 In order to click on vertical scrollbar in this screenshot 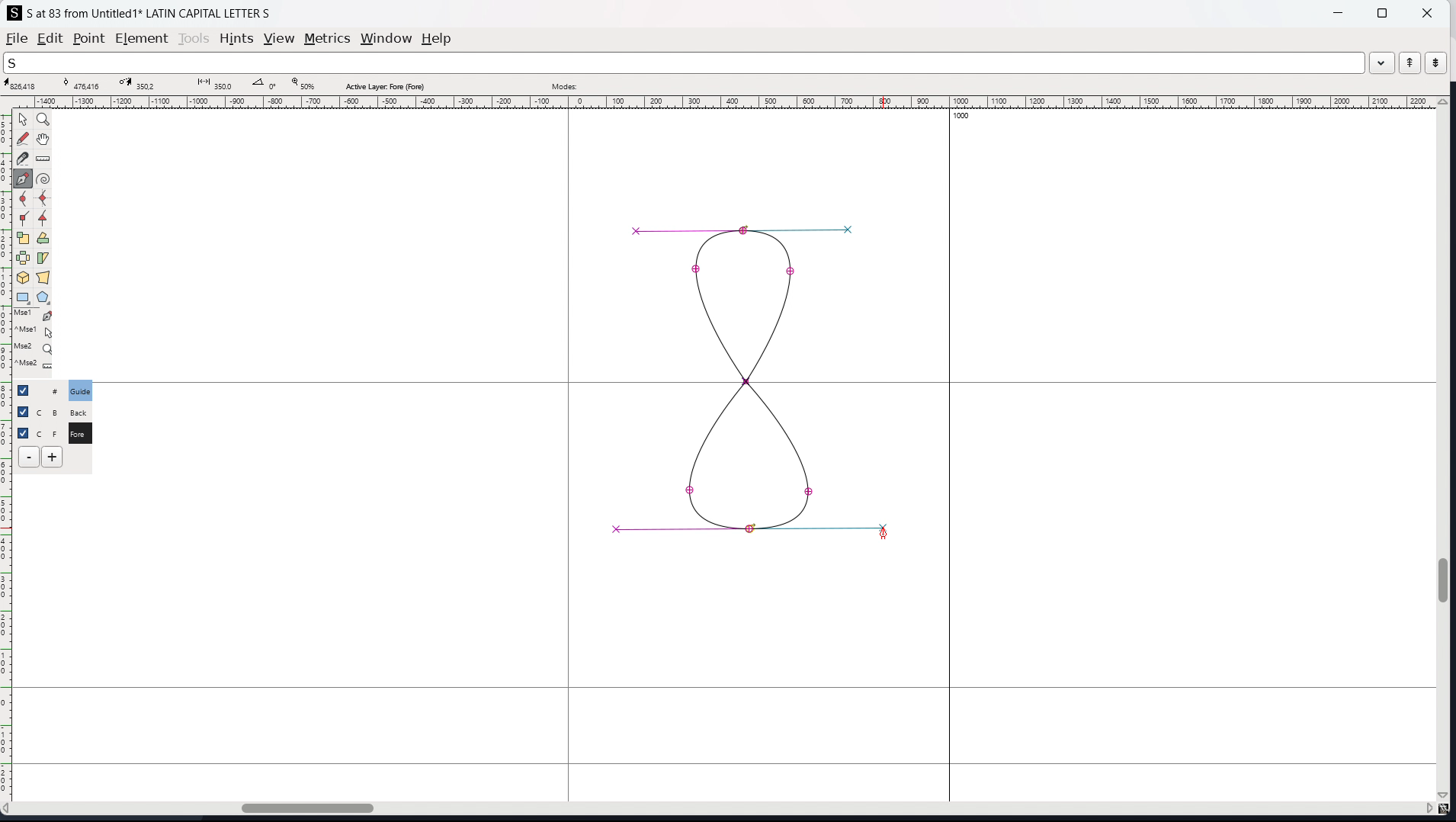, I will do `click(1446, 450)`.